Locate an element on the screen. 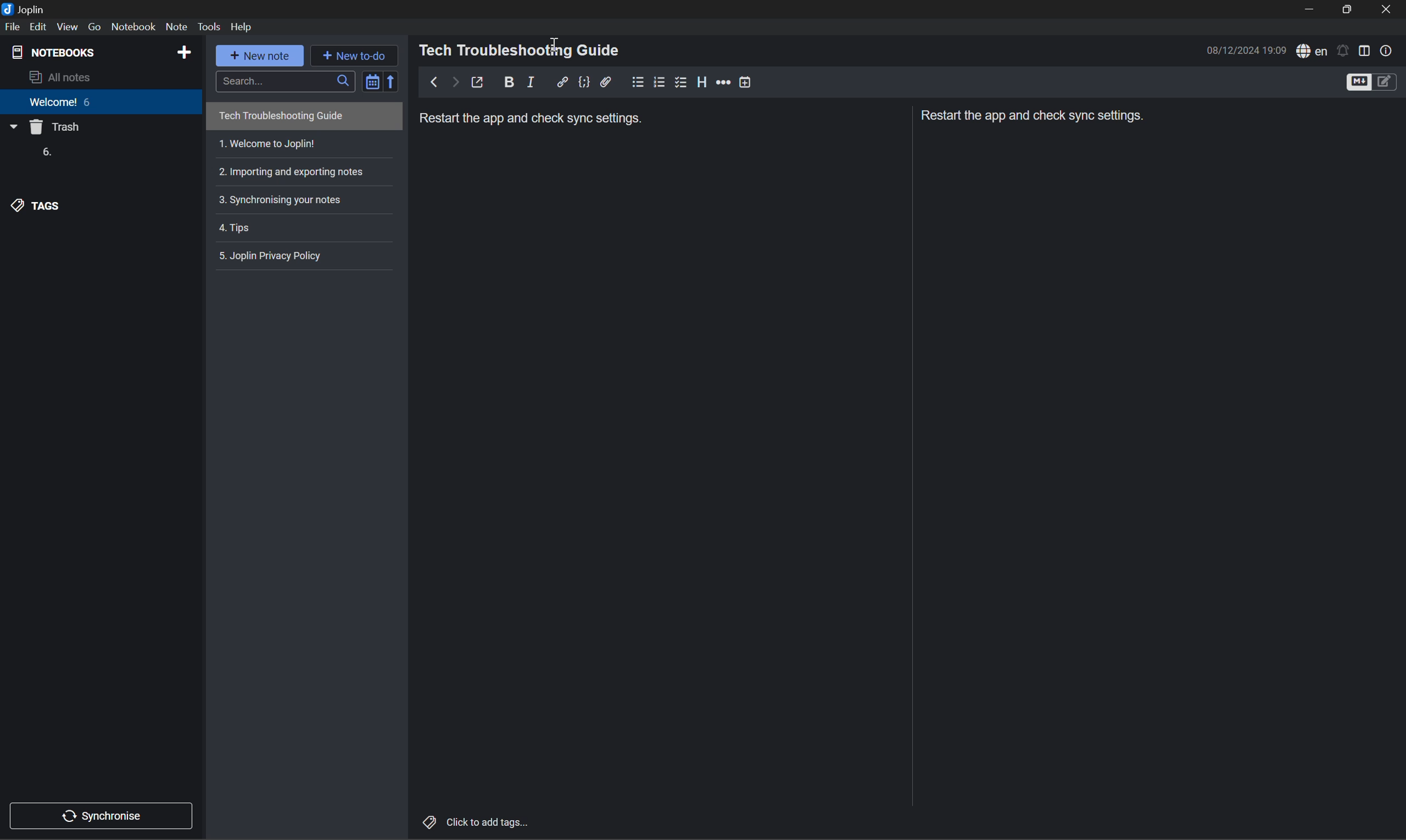 Image resolution: width=1406 pixels, height=840 pixels. 4. Tips is located at coordinates (239, 229).